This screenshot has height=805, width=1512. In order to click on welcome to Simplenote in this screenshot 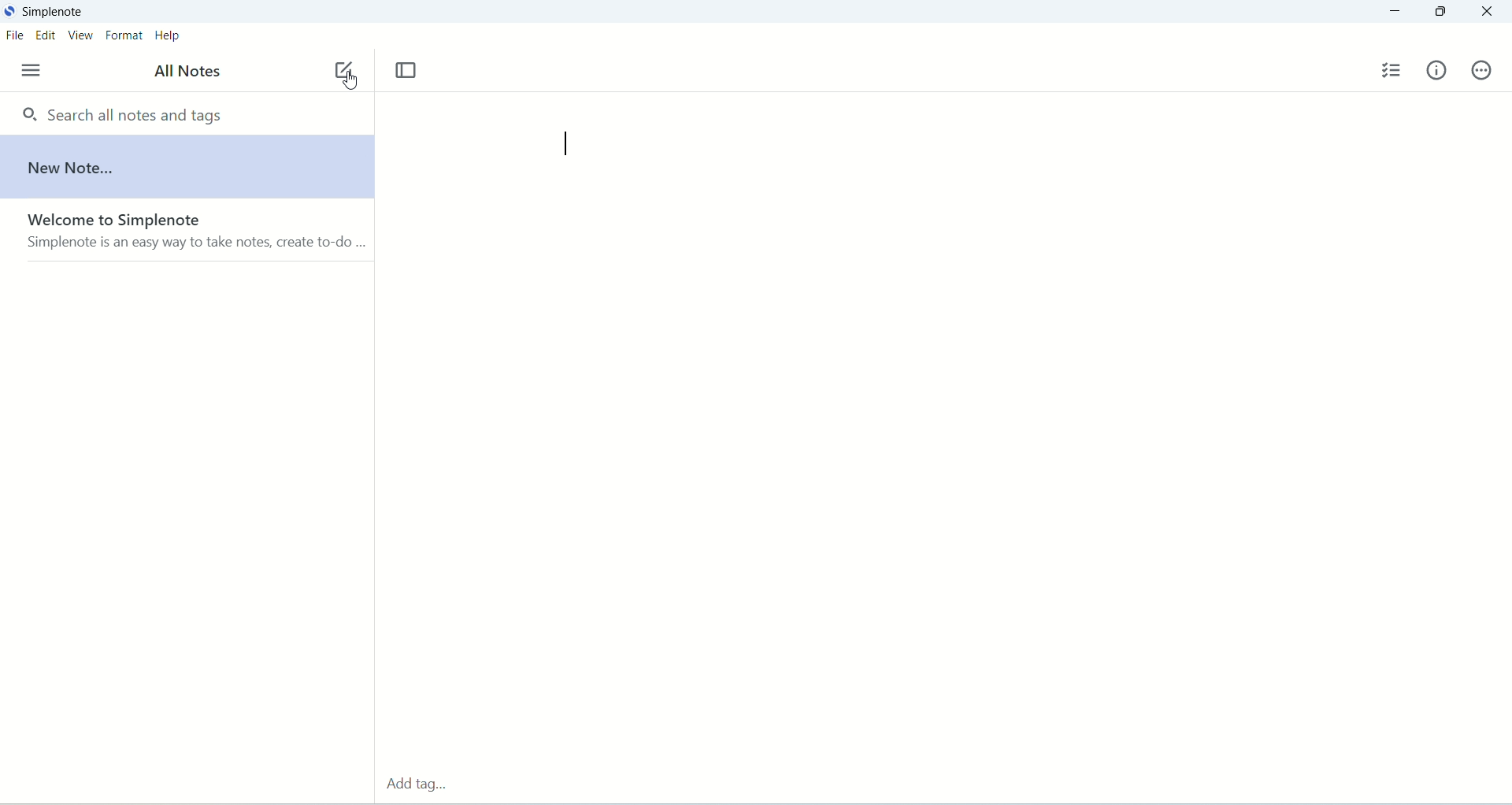, I will do `click(190, 235)`.